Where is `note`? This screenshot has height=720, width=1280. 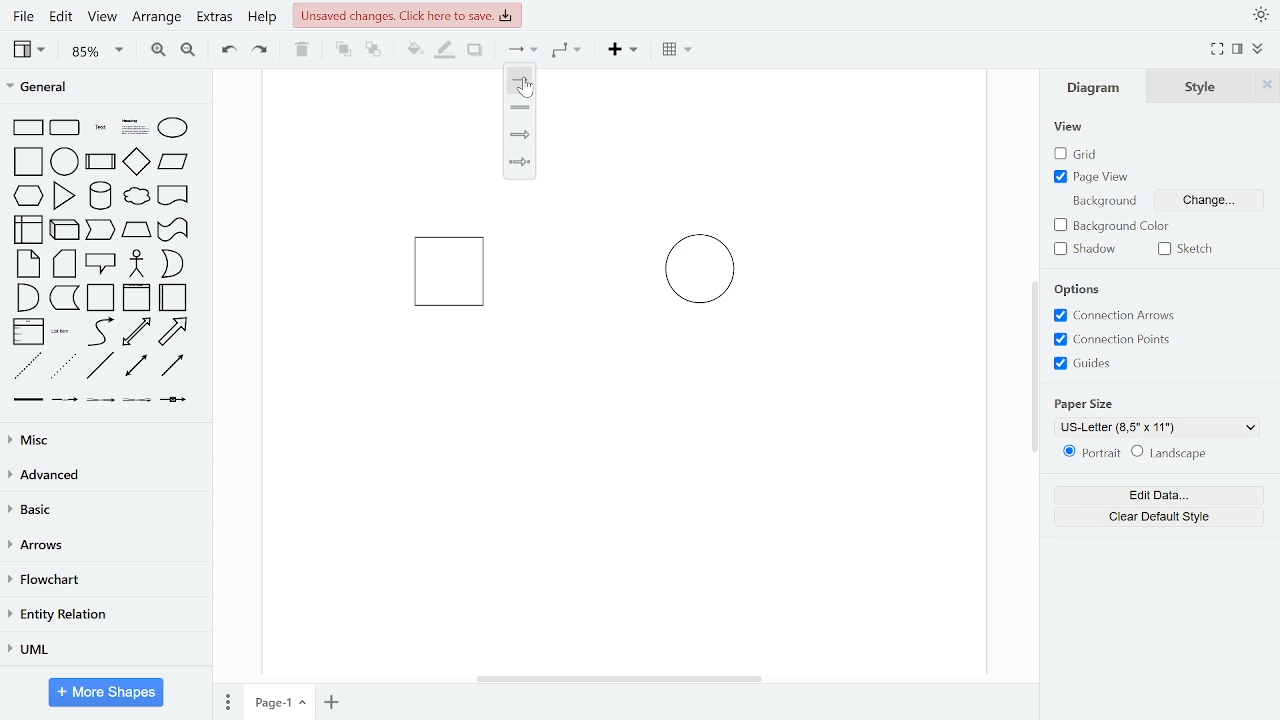
note is located at coordinates (30, 263).